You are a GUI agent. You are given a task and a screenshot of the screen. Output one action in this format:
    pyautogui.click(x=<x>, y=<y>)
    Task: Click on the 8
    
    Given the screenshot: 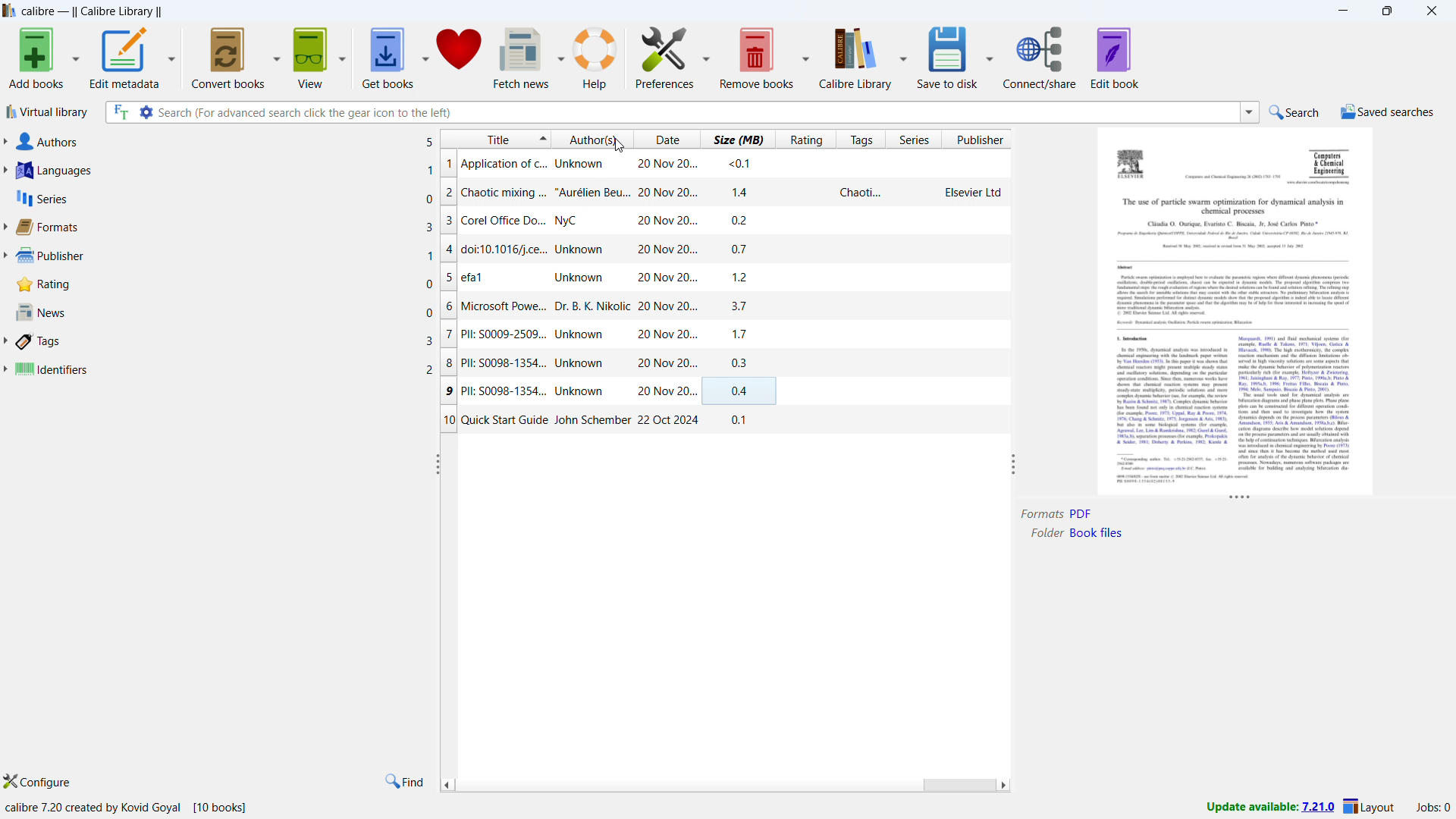 What is the action you would take?
    pyautogui.click(x=450, y=364)
    